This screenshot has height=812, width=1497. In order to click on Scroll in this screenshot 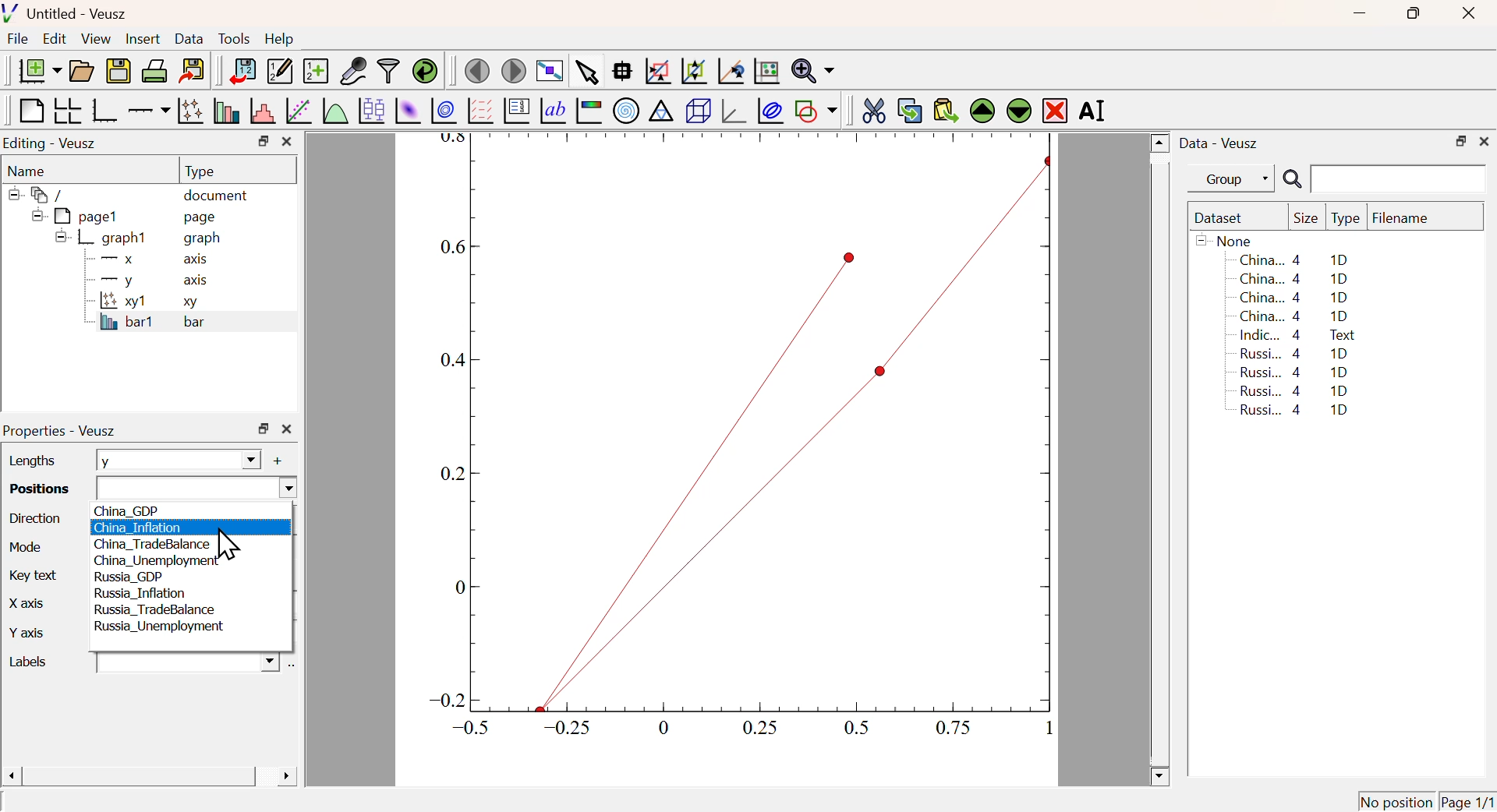, I will do `click(1160, 461)`.